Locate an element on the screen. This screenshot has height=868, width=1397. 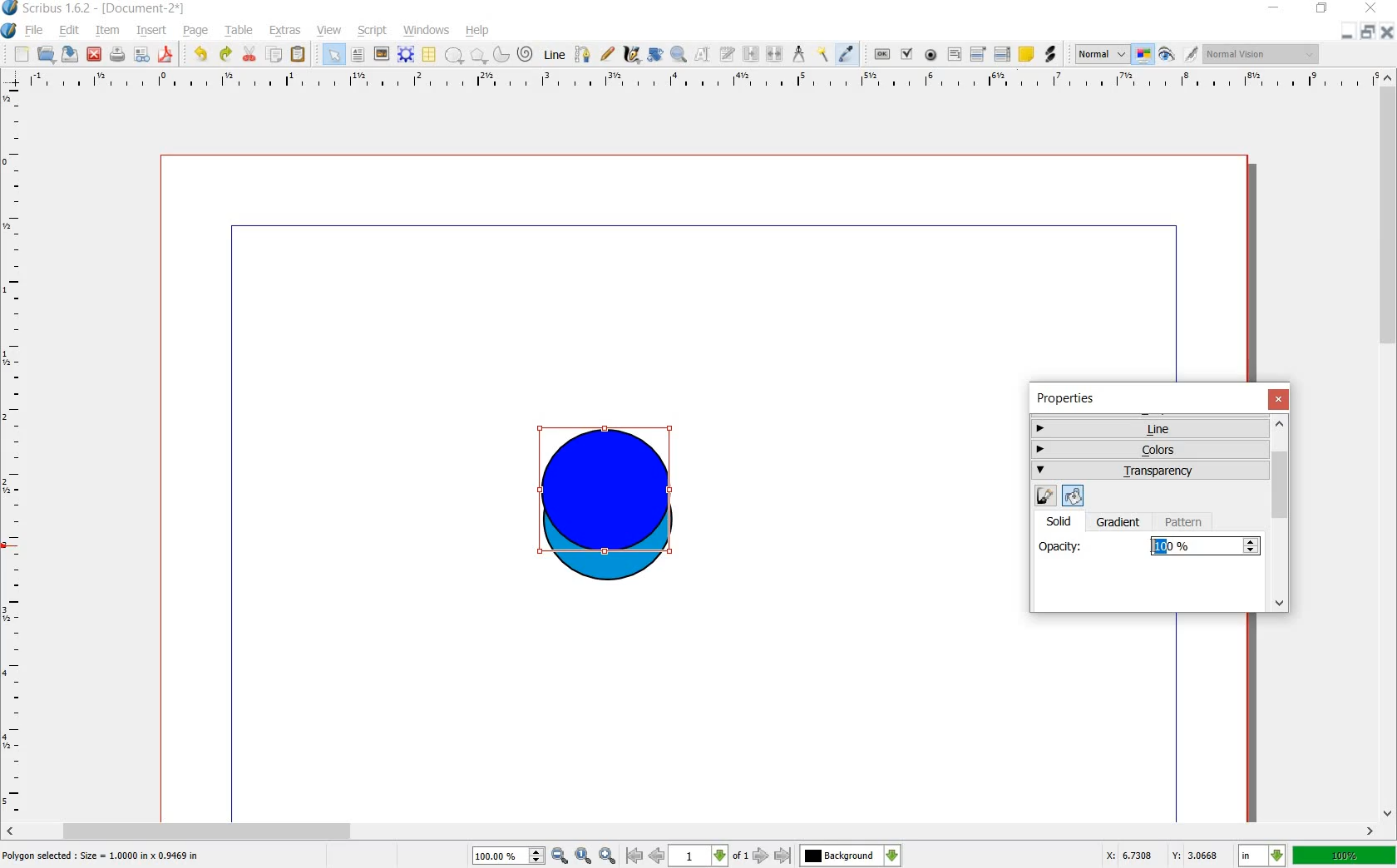
close is located at coordinates (95, 55).